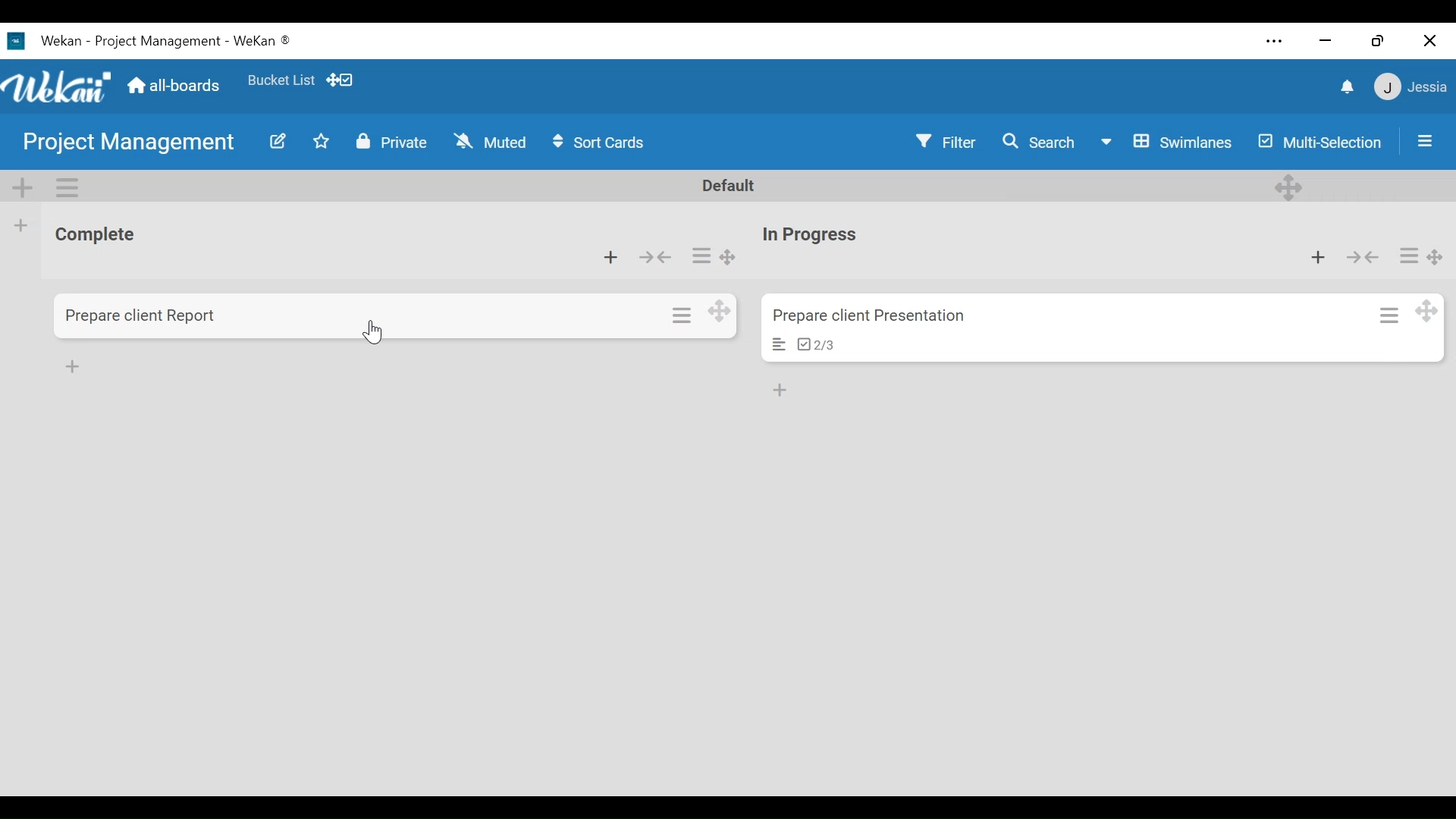 The image size is (1456, 819). Describe the element at coordinates (193, 42) in the screenshot. I see `Board Title` at that location.